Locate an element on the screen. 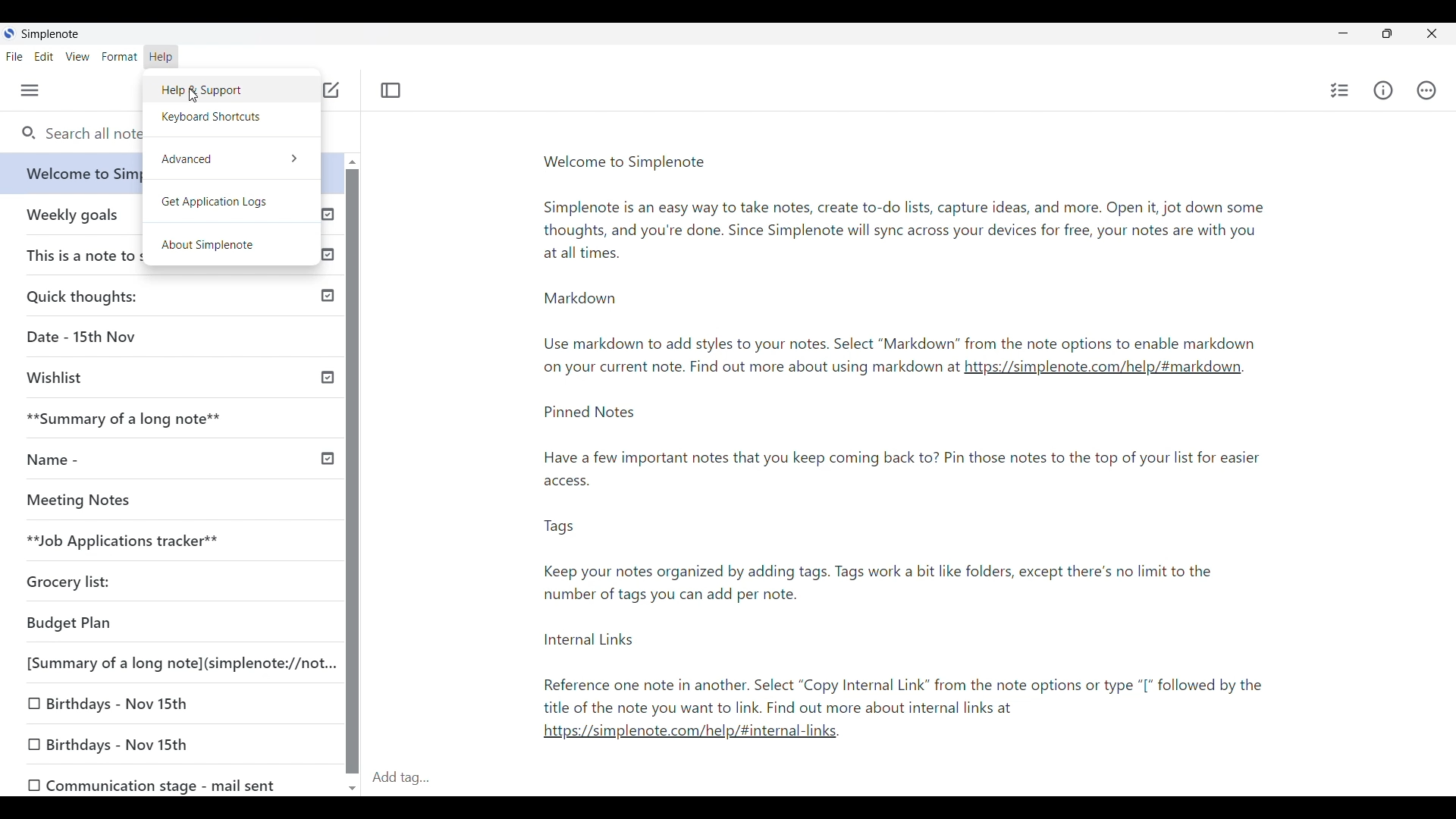  Info is located at coordinates (1384, 90).